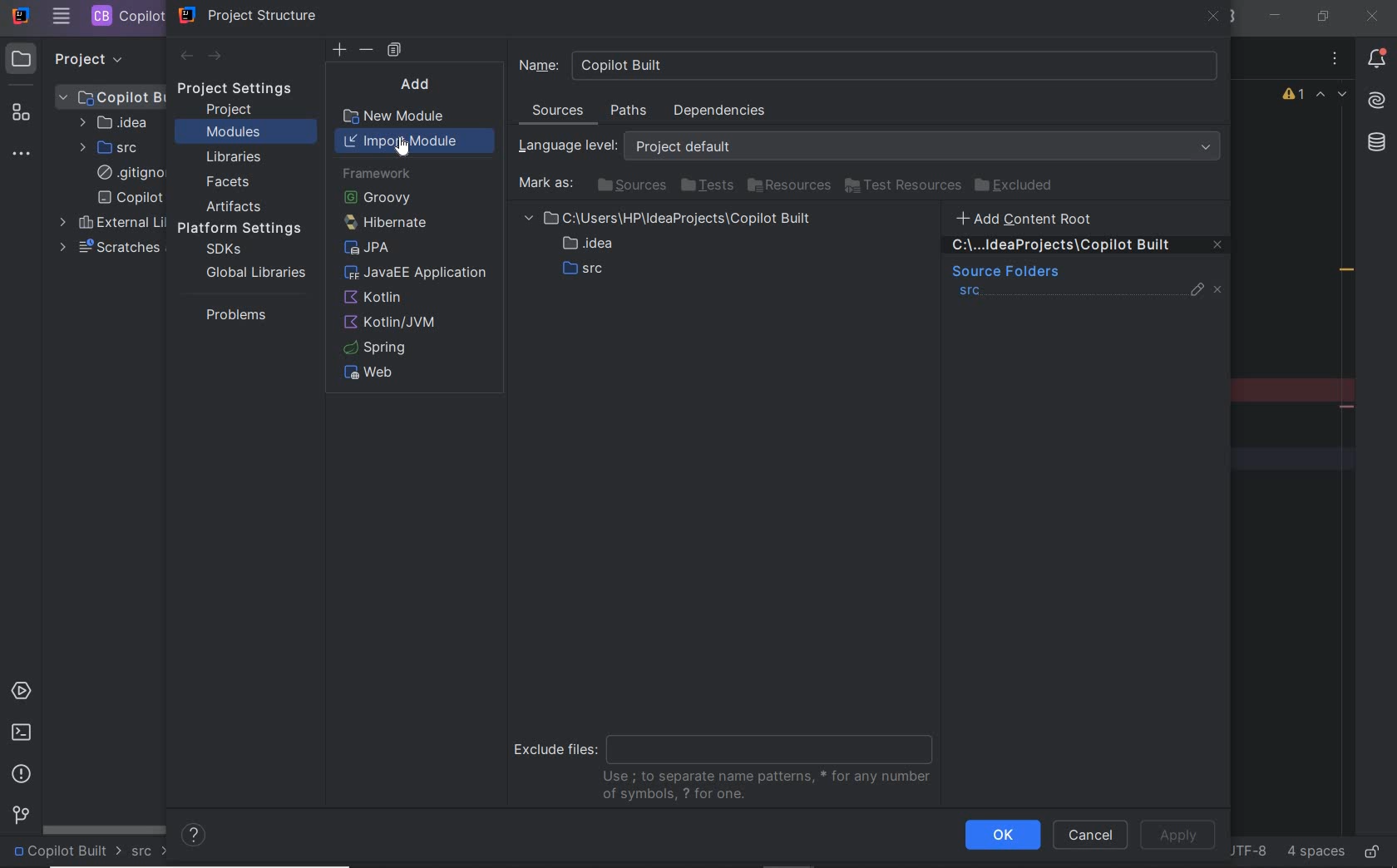 Image resolution: width=1397 pixels, height=868 pixels. Describe the element at coordinates (151, 852) in the screenshot. I see `src` at that location.